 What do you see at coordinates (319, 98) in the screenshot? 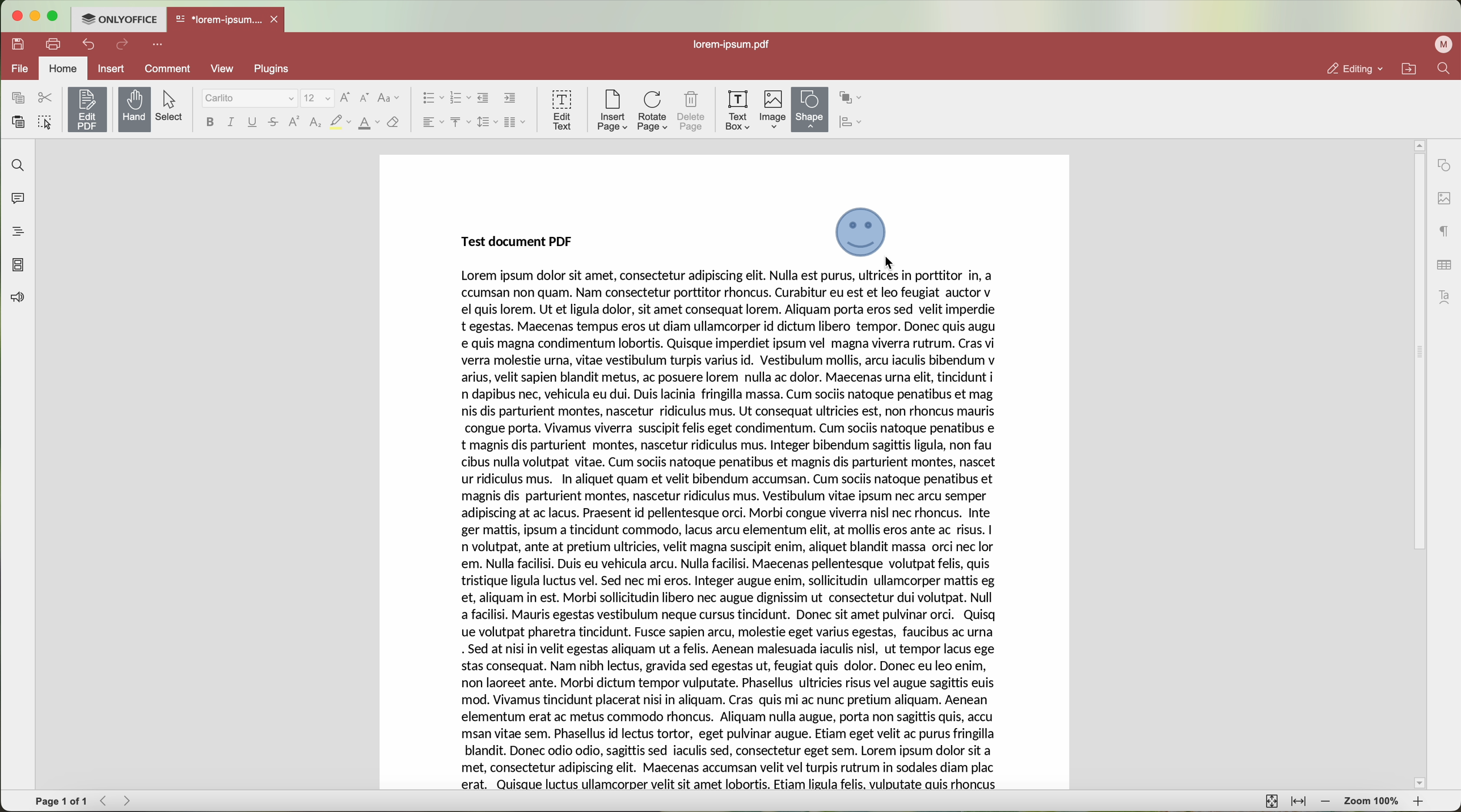
I see `size font` at bounding box center [319, 98].